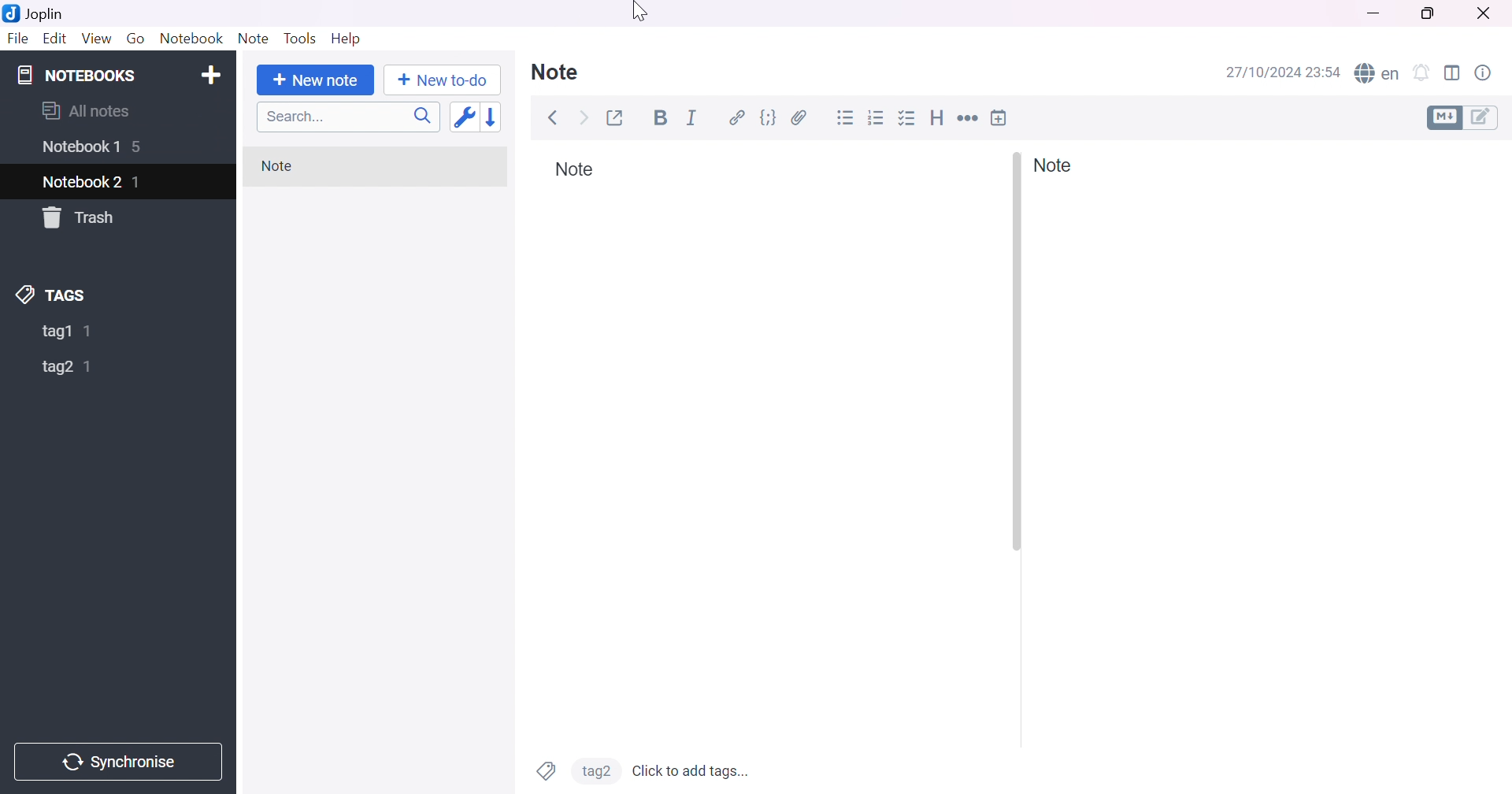 This screenshot has width=1512, height=794. What do you see at coordinates (575, 169) in the screenshot?
I see `Note` at bounding box center [575, 169].